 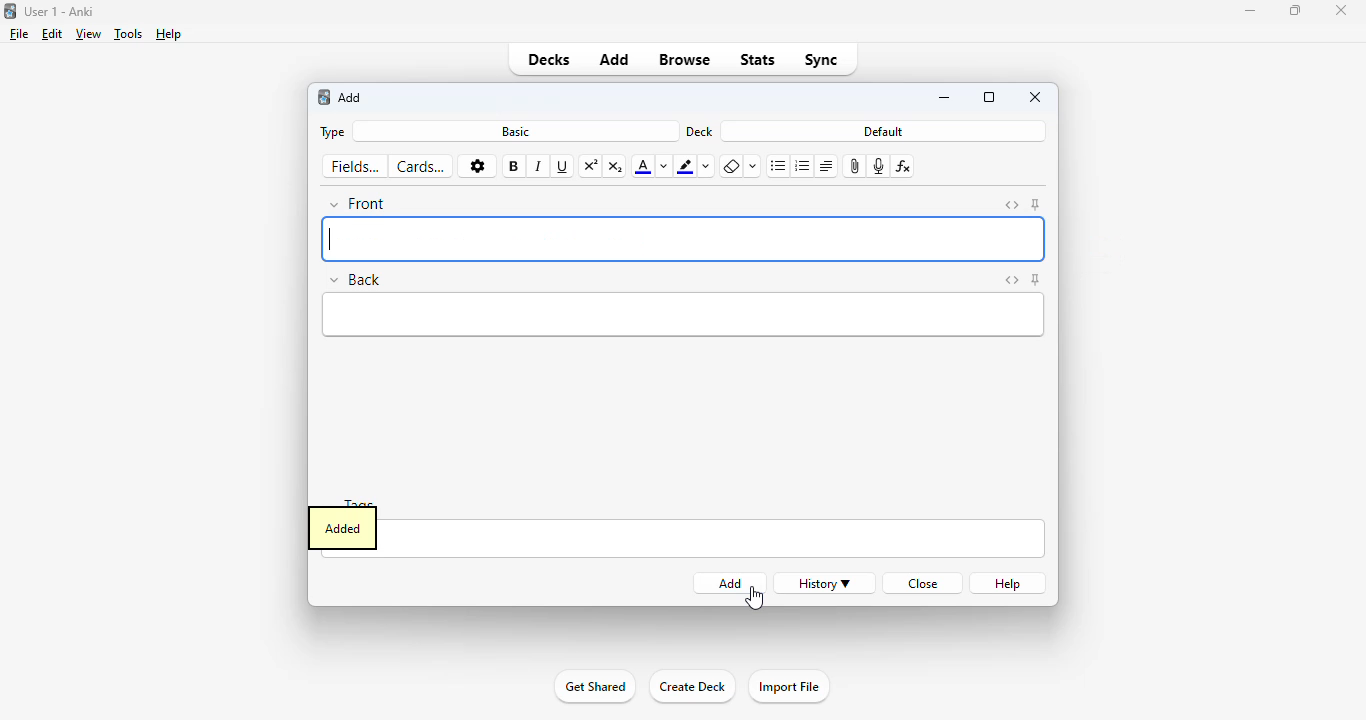 What do you see at coordinates (354, 166) in the screenshot?
I see `fields` at bounding box center [354, 166].